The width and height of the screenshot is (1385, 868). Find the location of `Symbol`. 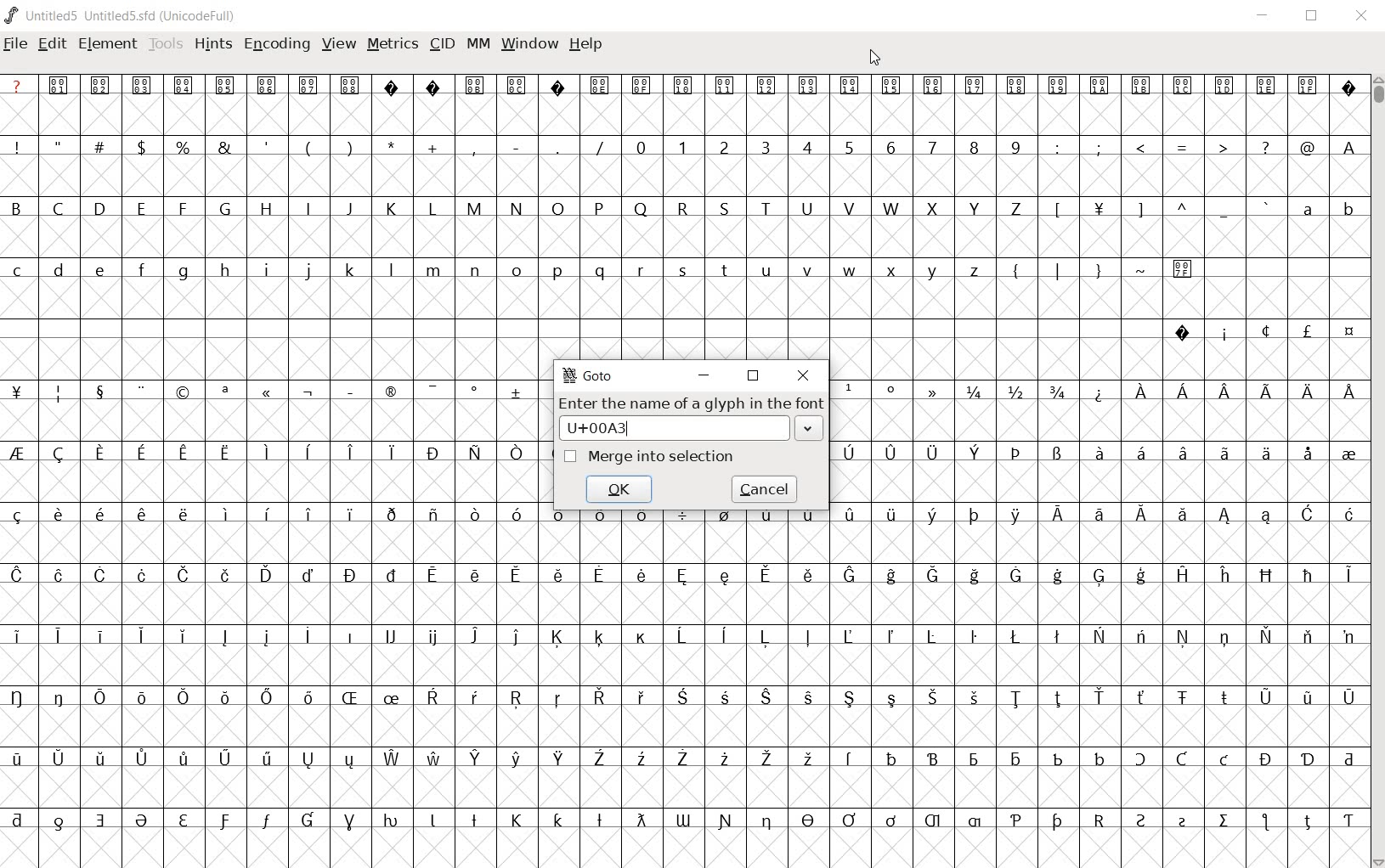

Symbol is located at coordinates (1348, 516).